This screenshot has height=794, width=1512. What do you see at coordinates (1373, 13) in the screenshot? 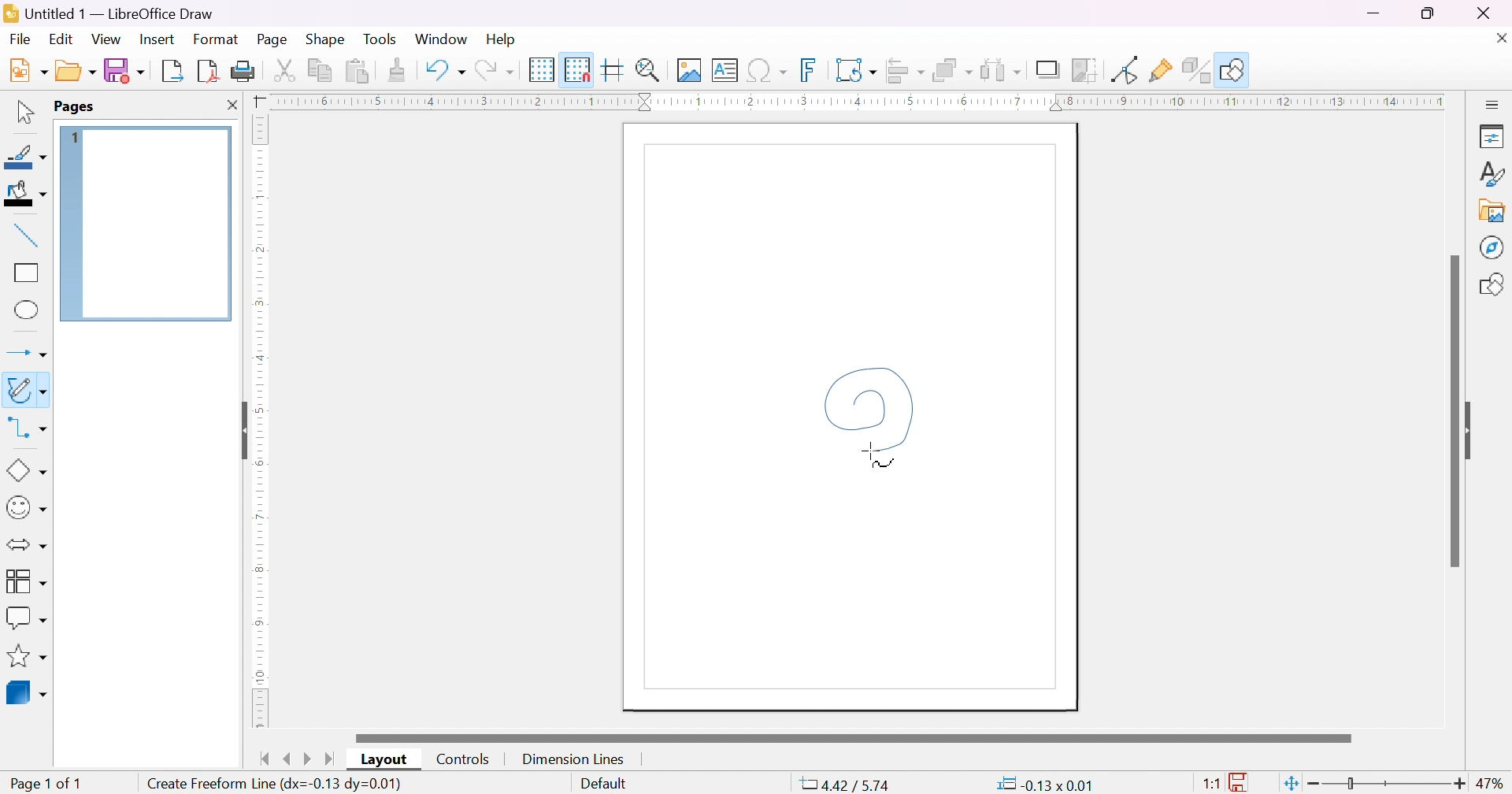
I see `minimize` at bounding box center [1373, 13].